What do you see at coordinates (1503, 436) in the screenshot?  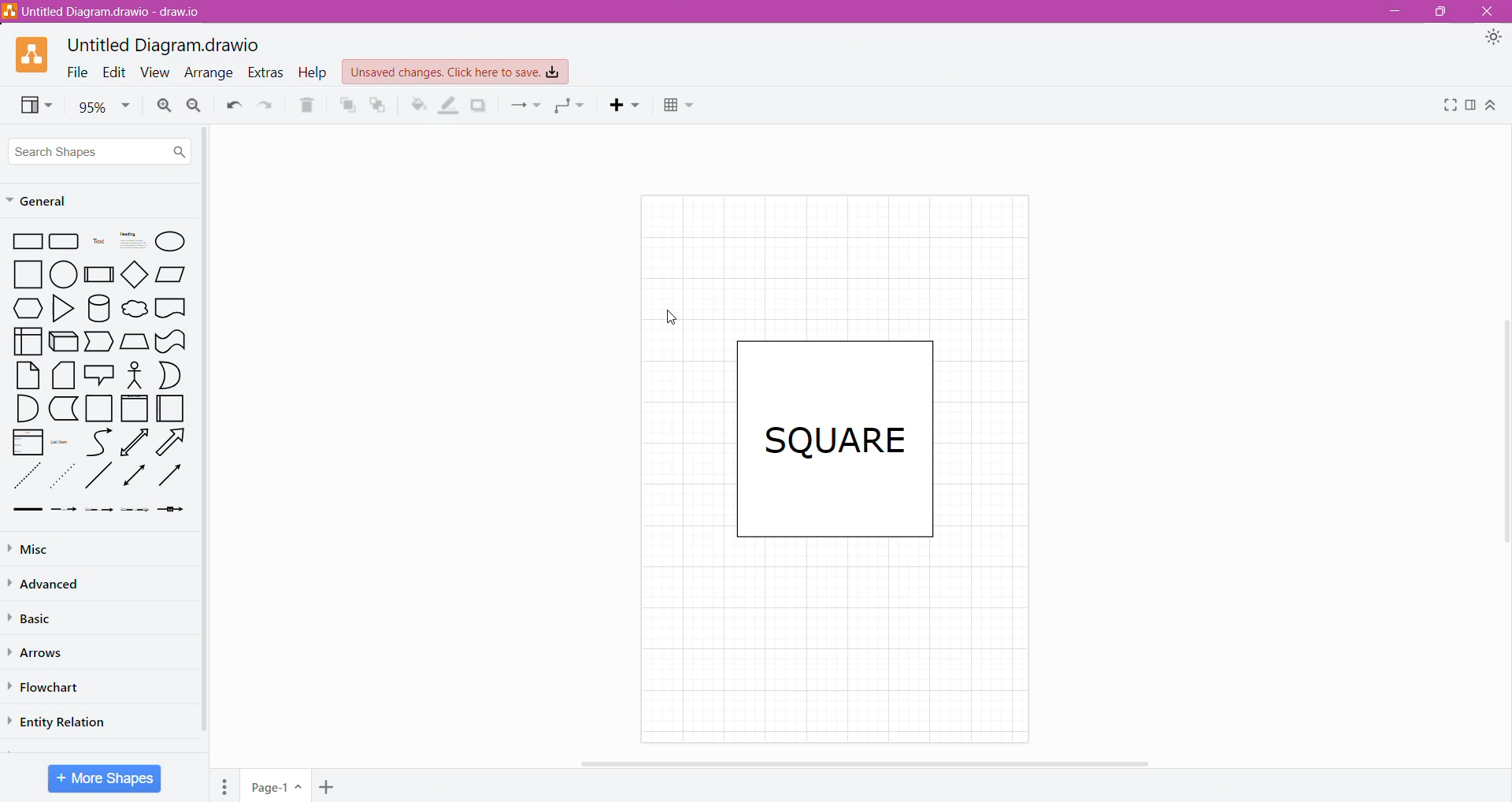 I see `Vertical Scroll Bar` at bounding box center [1503, 436].